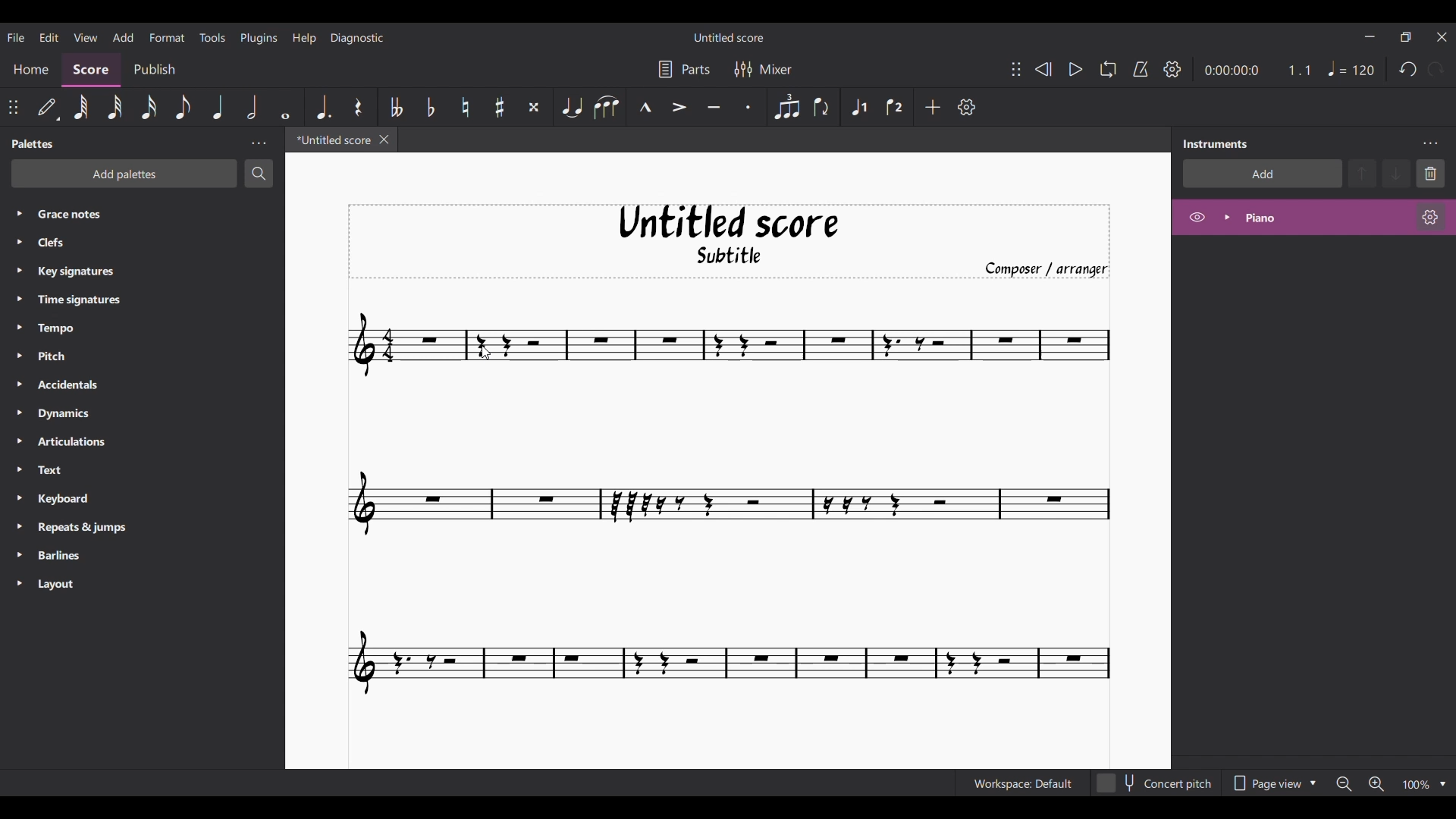  I want to click on Publish section, so click(154, 71).